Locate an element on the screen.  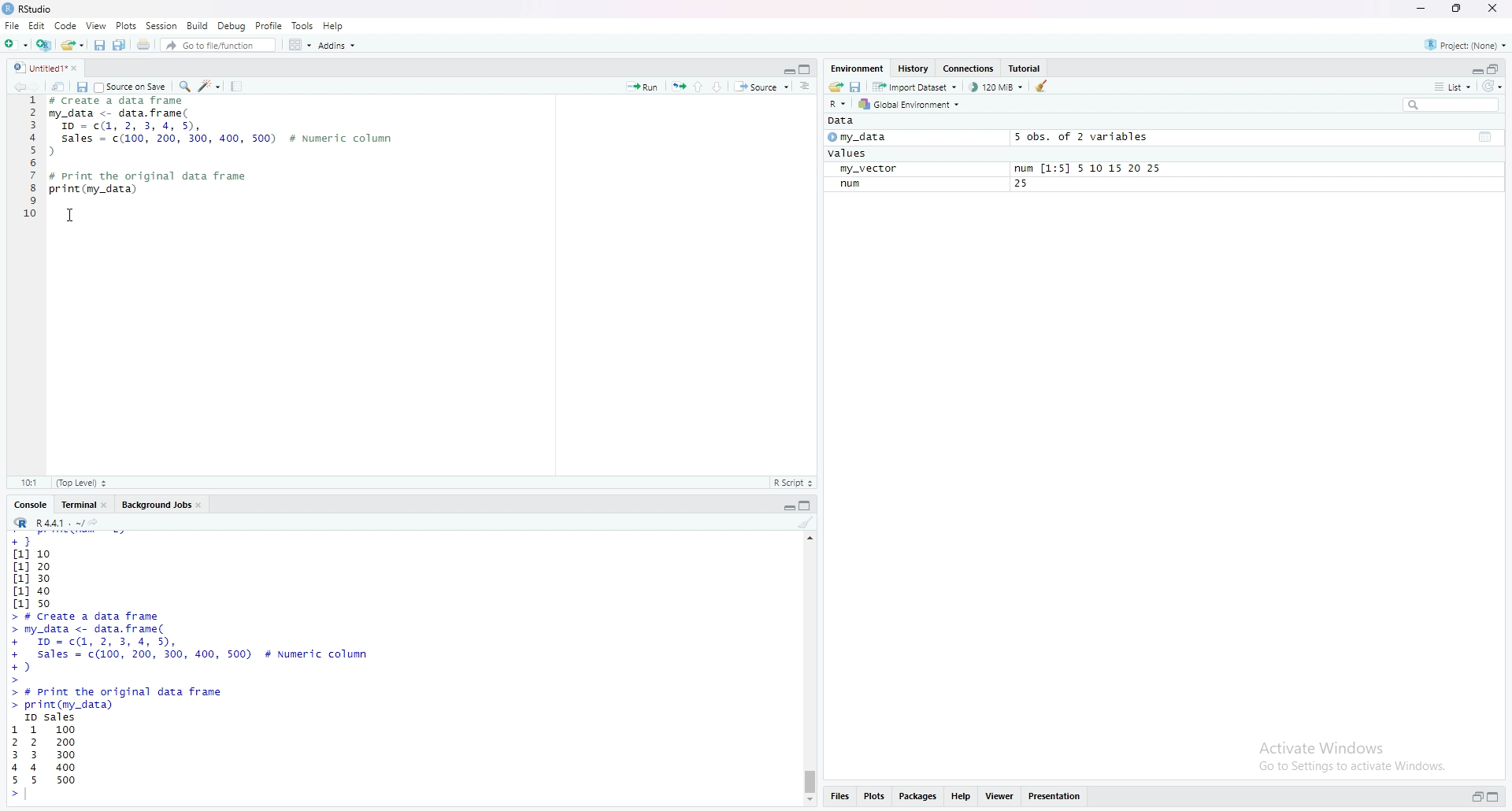
prompt cursor is located at coordinates (10, 799).